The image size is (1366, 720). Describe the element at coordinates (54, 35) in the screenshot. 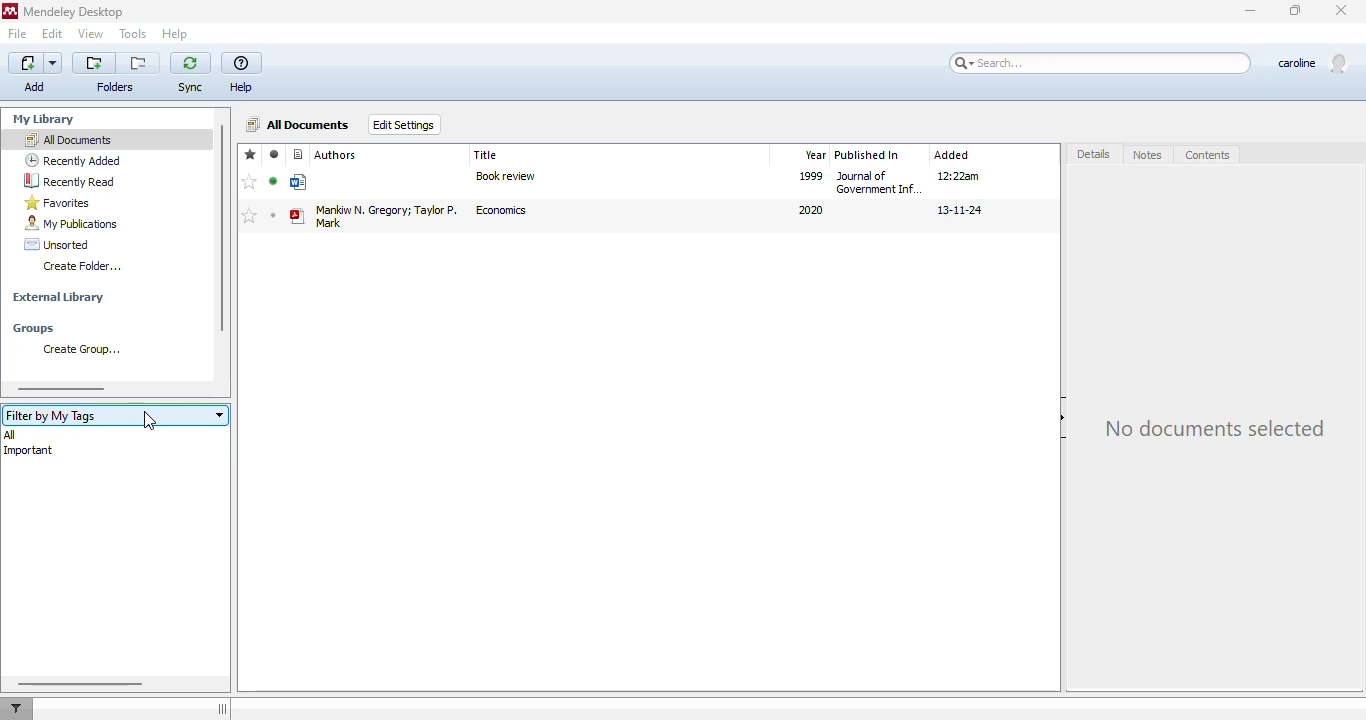

I see `edit` at that location.